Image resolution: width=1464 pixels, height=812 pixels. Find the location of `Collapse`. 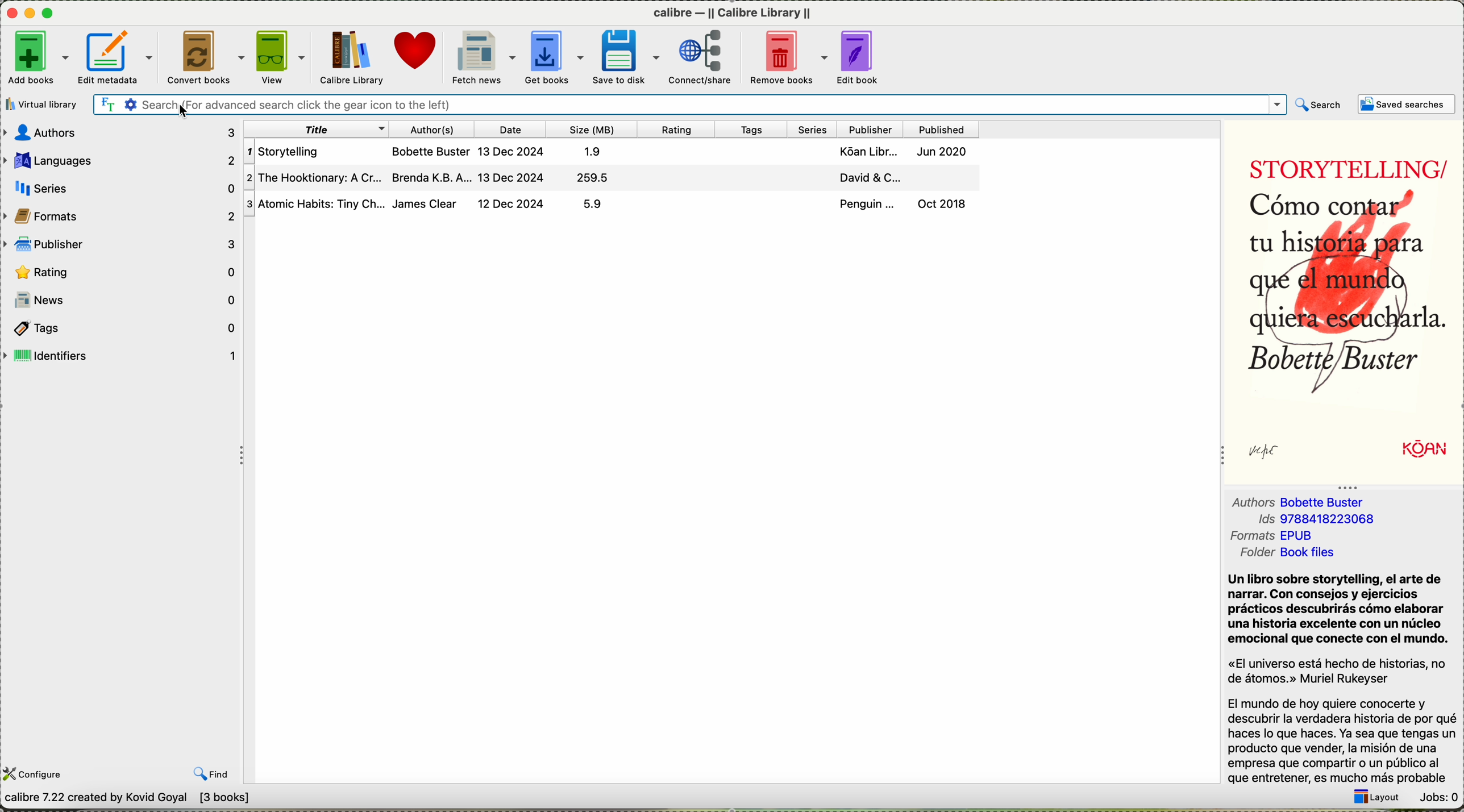

Collapse is located at coordinates (1347, 486).